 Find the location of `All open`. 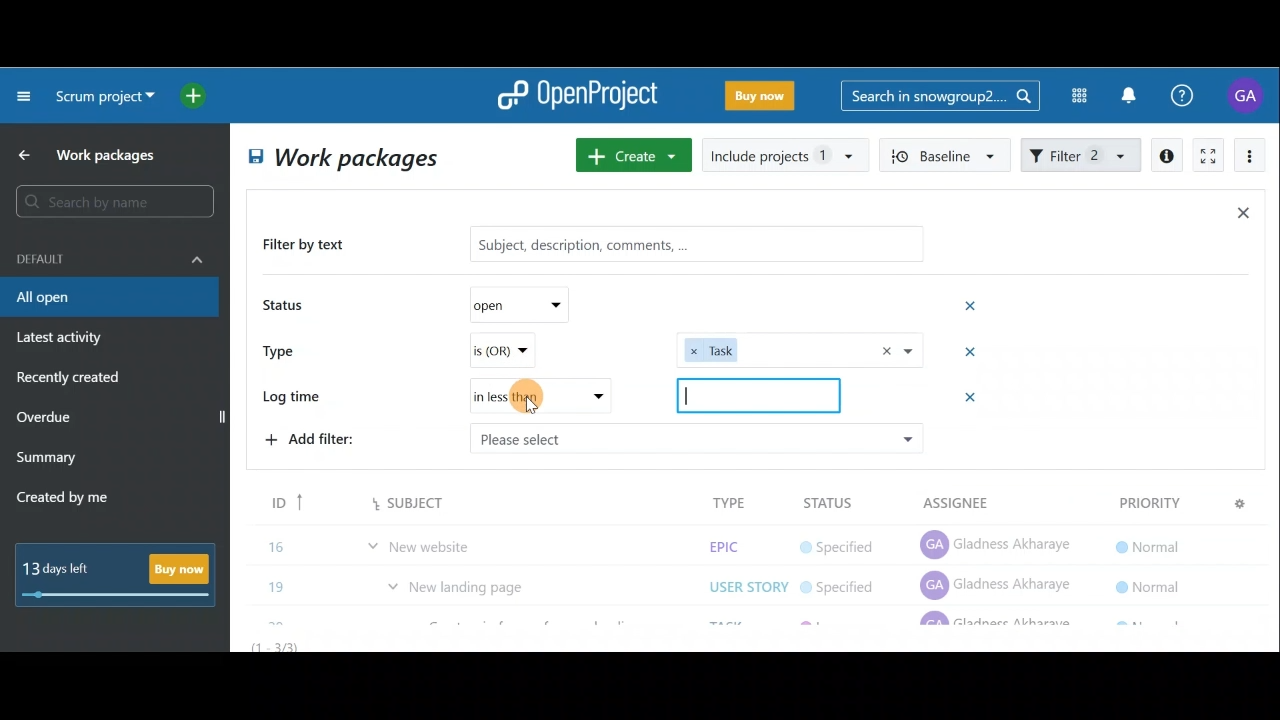

All open is located at coordinates (340, 160).